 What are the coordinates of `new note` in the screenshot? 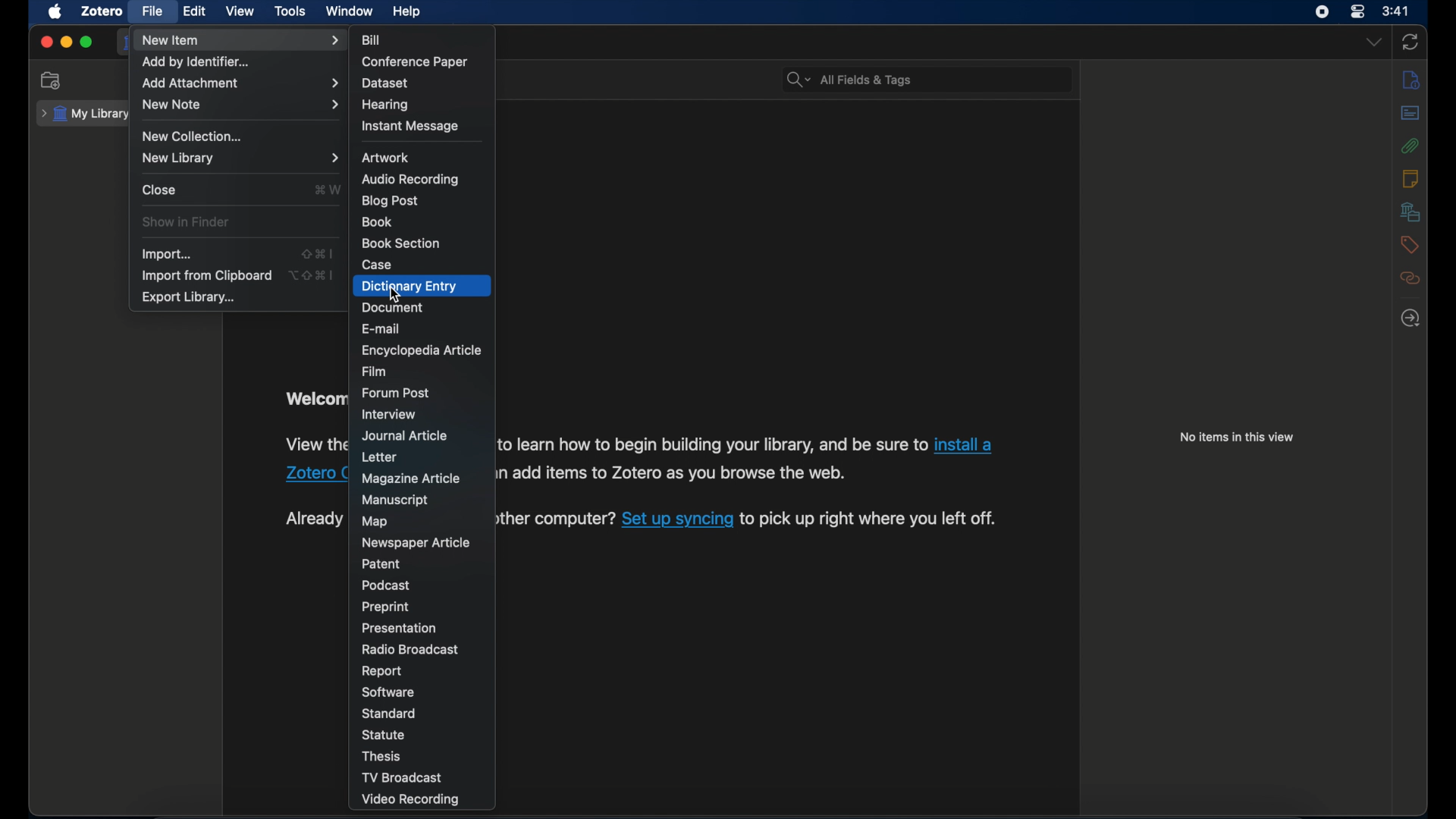 It's located at (241, 105).